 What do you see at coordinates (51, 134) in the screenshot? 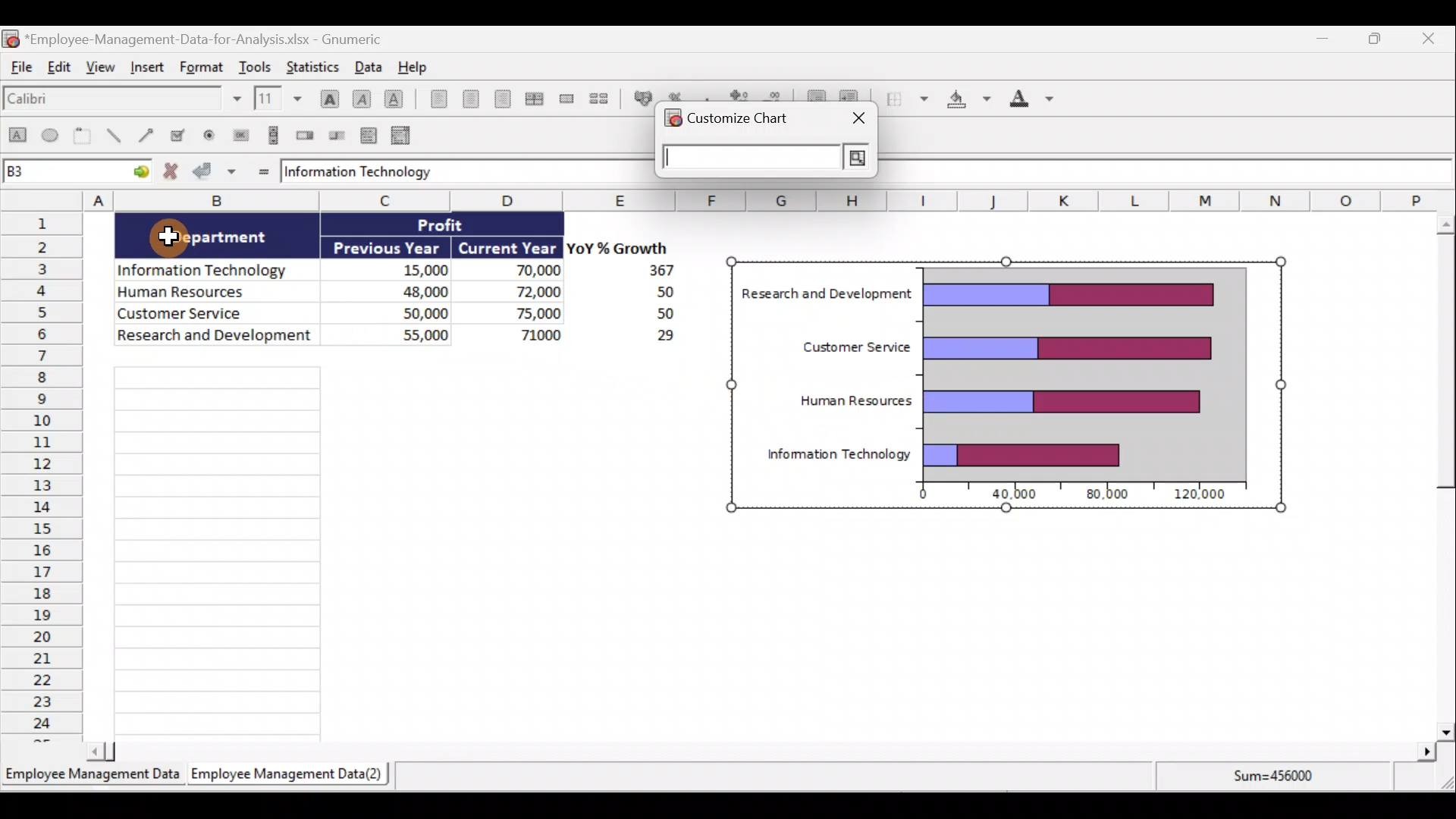
I see `Create an ellipse object` at bounding box center [51, 134].